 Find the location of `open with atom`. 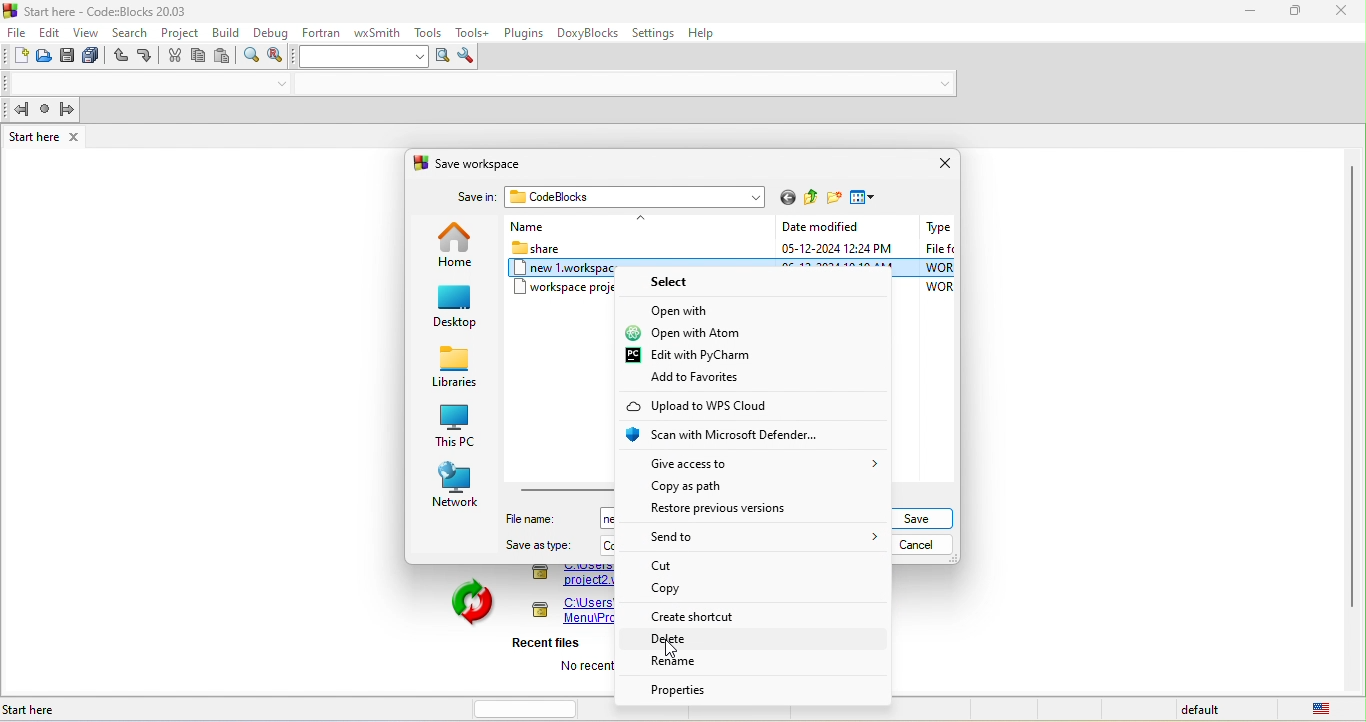

open with atom is located at coordinates (690, 331).